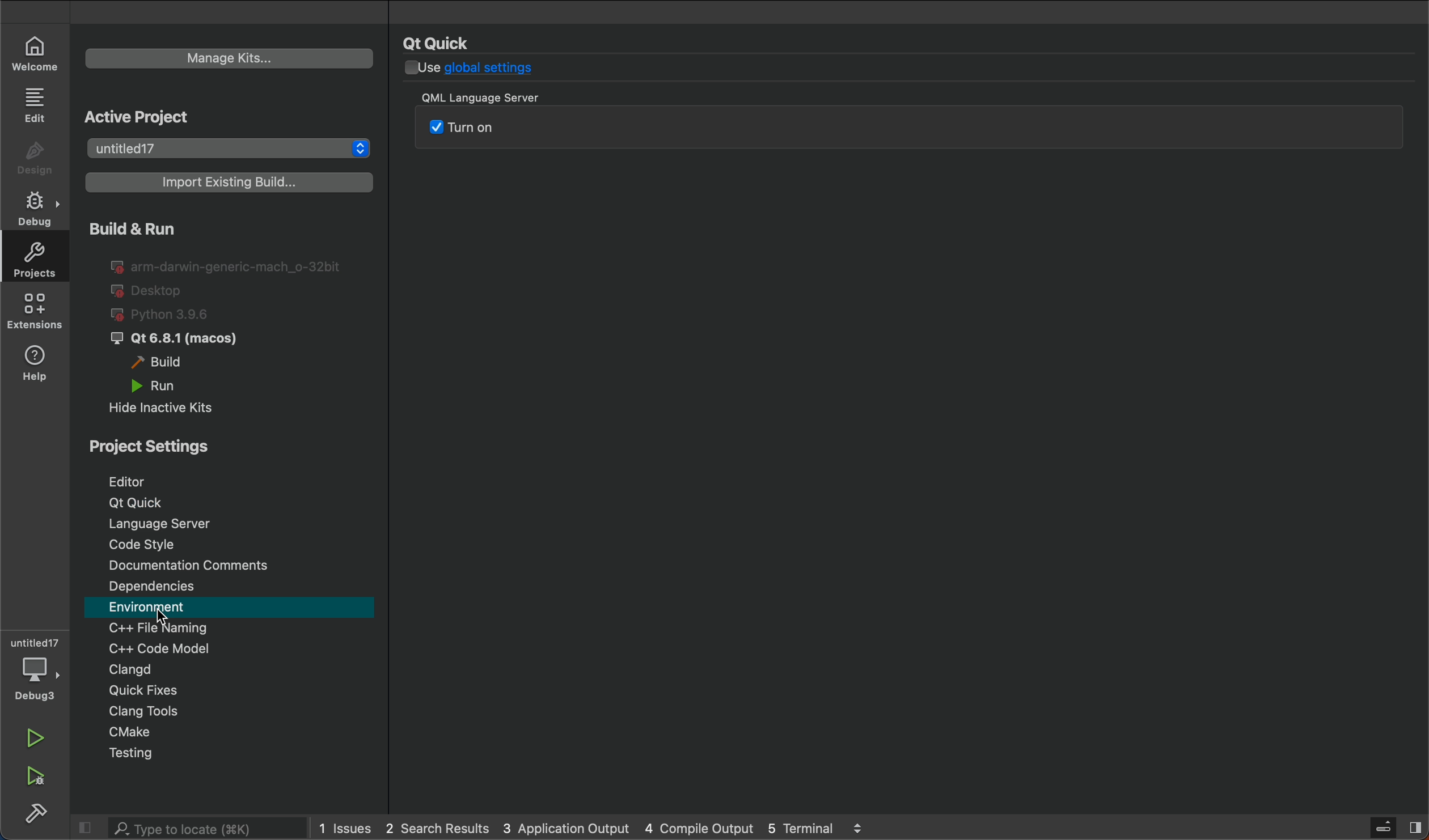  Describe the element at coordinates (38, 205) in the screenshot. I see `debug` at that location.